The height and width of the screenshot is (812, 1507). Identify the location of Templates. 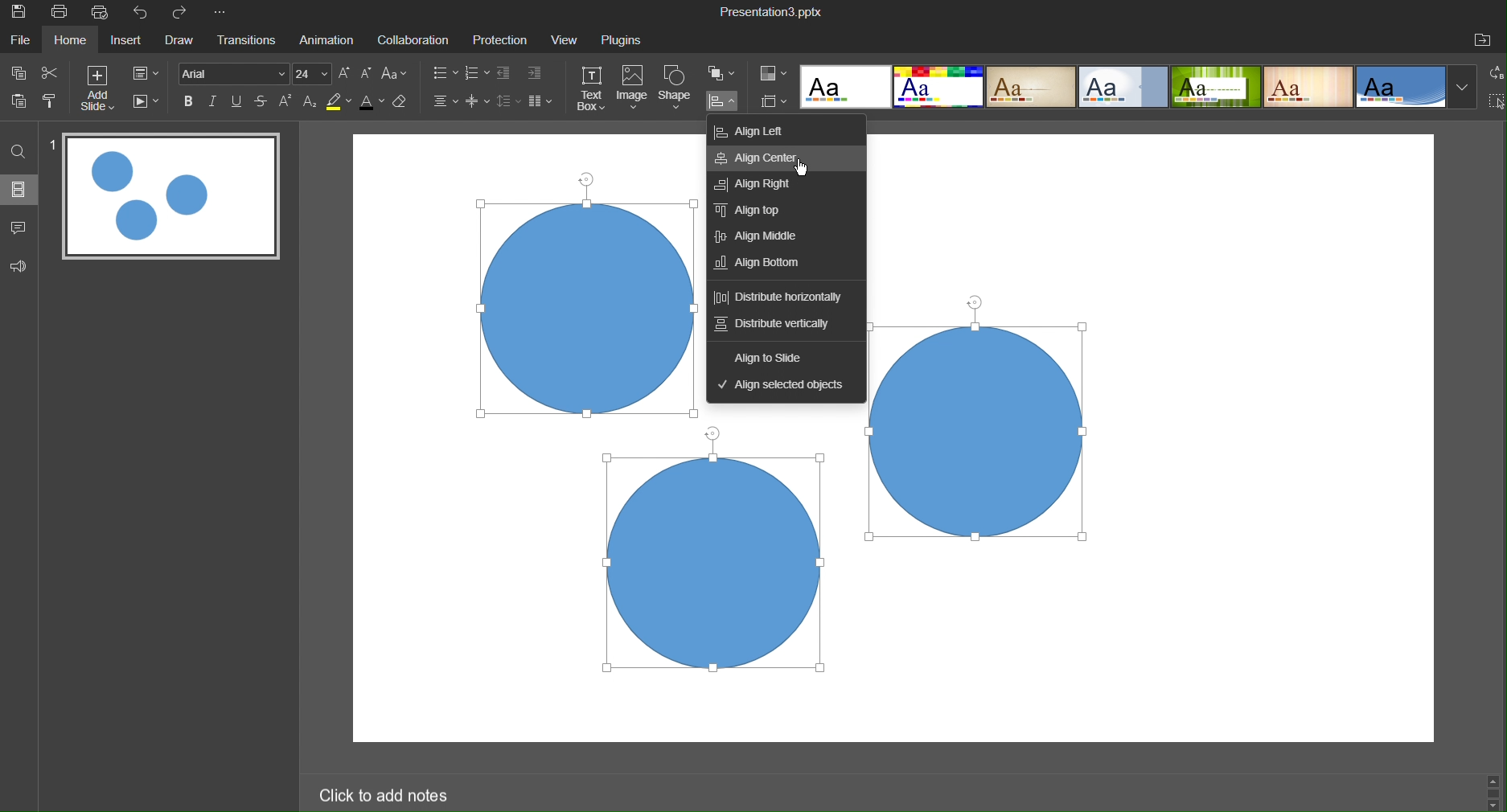
(1138, 90).